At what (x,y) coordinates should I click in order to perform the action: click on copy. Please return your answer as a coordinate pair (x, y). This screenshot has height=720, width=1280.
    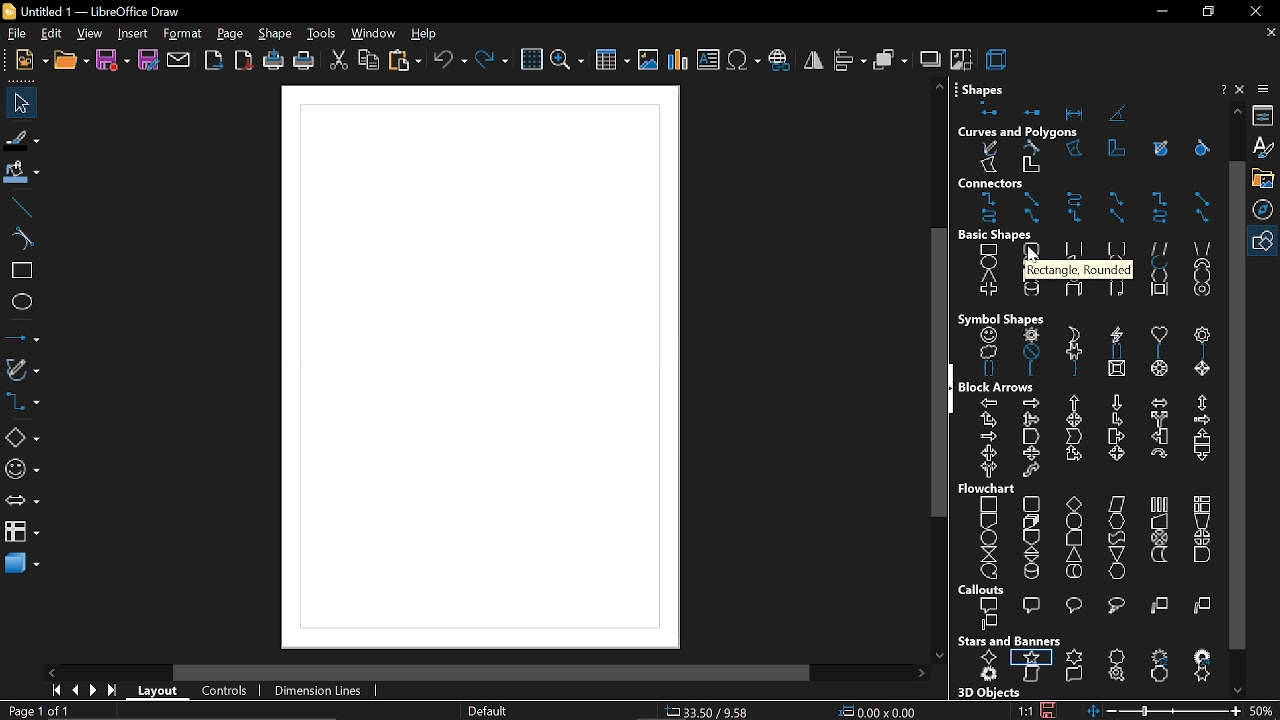
    Looking at the image, I should click on (369, 62).